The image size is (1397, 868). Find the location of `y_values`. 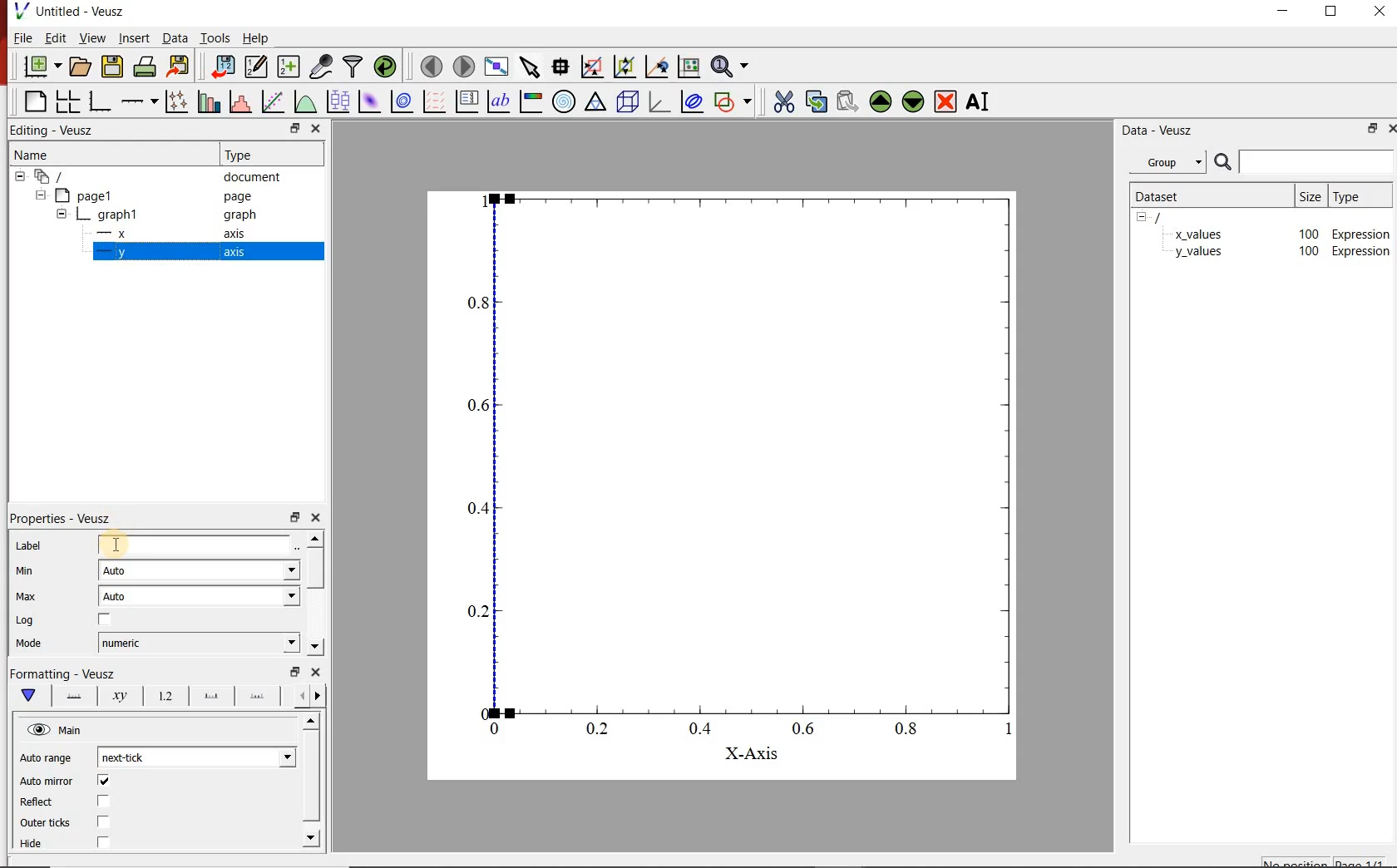

y_values is located at coordinates (1198, 253).